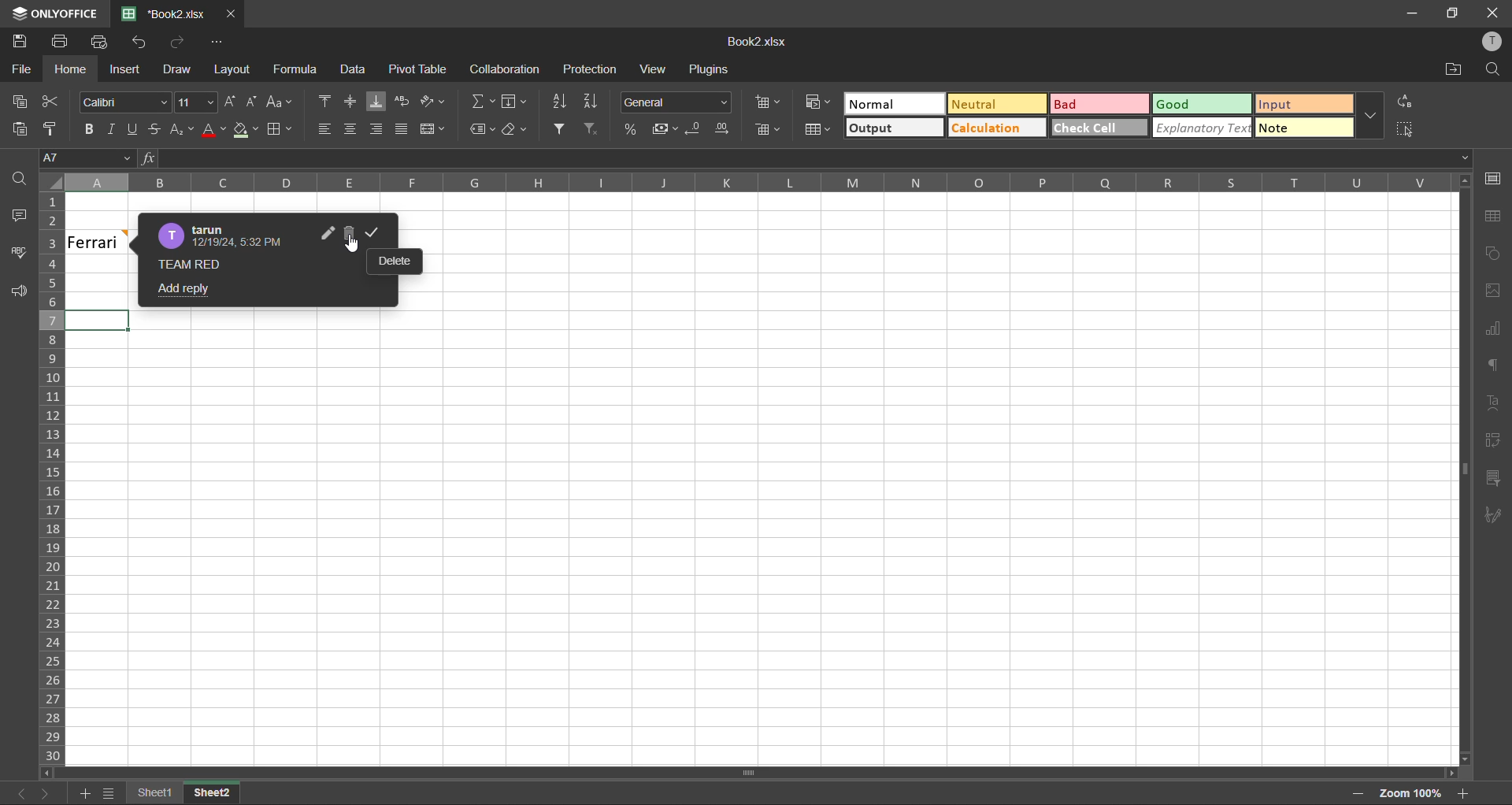  I want to click on redo, so click(180, 43).